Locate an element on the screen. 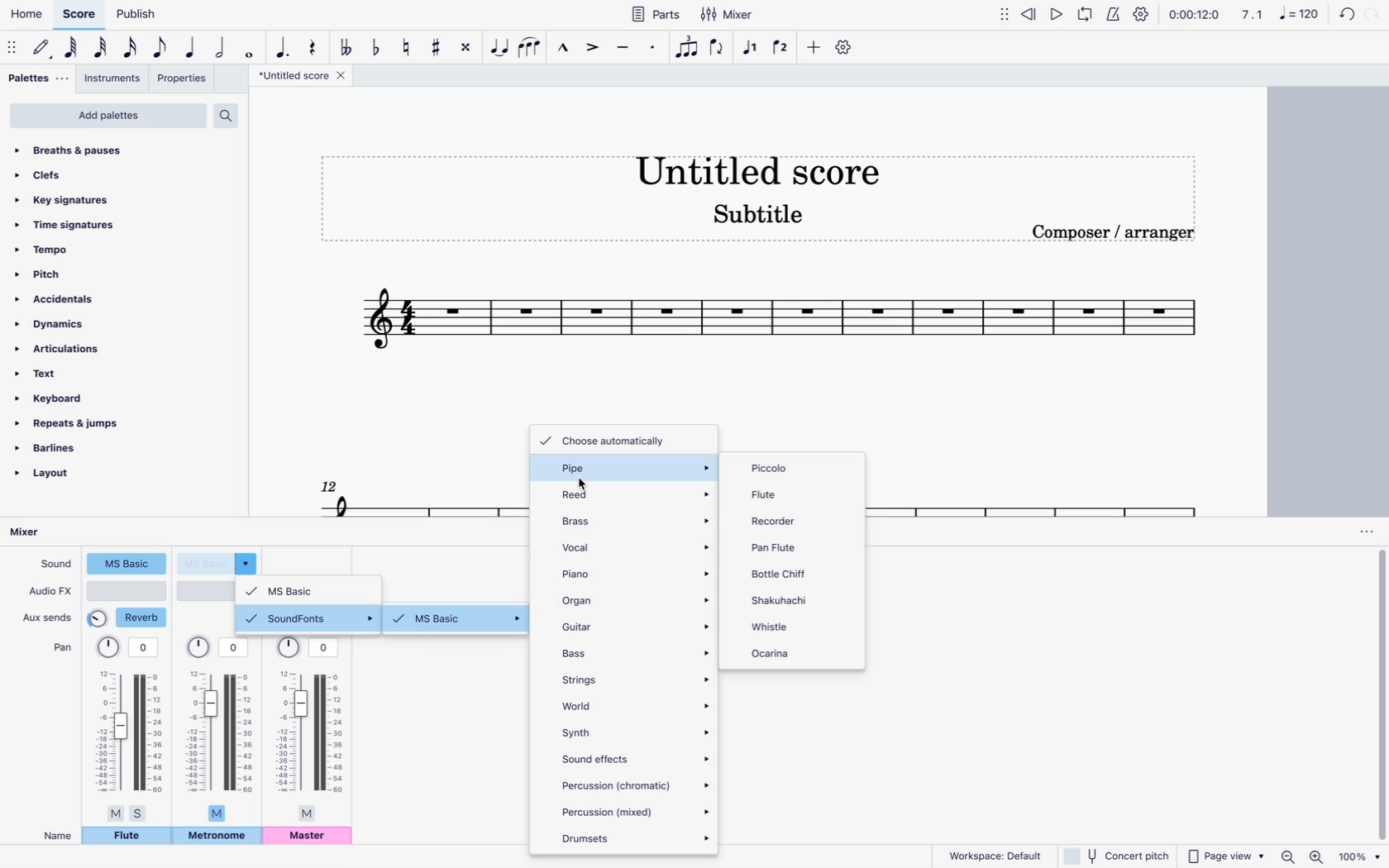 Image resolution: width=1389 pixels, height=868 pixels. properties is located at coordinates (185, 81).